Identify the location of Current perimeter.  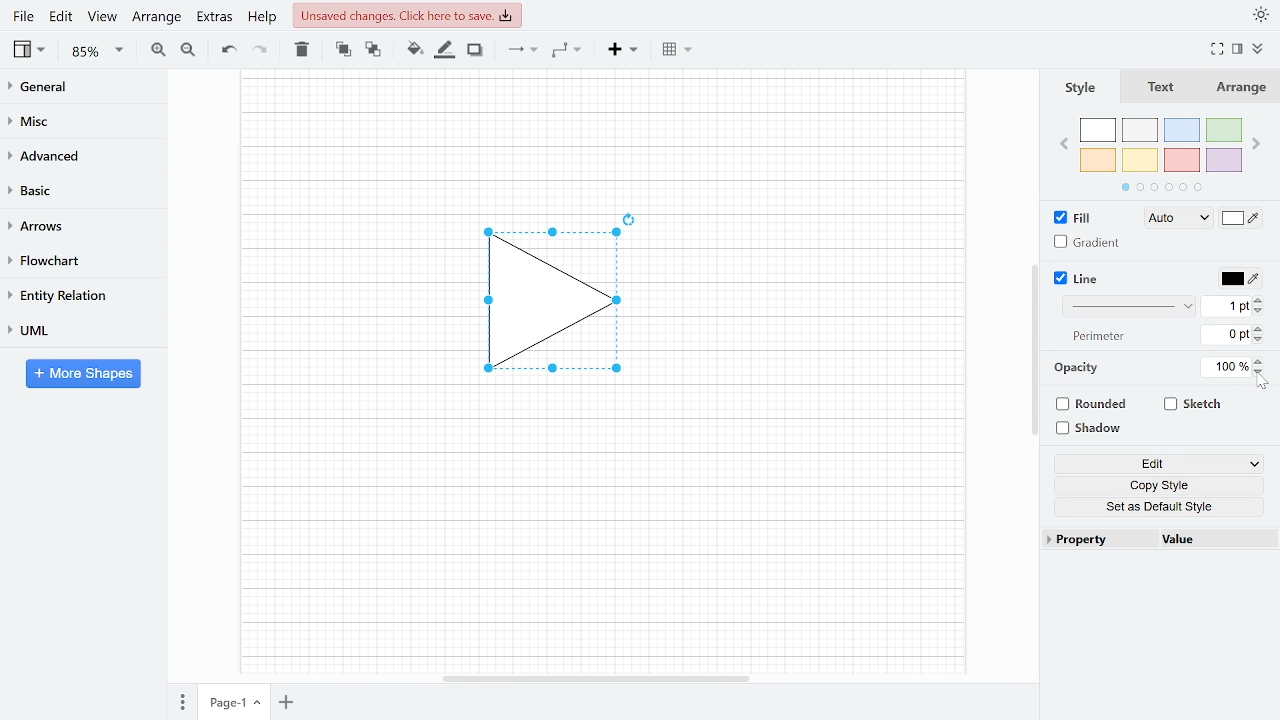
(1226, 337).